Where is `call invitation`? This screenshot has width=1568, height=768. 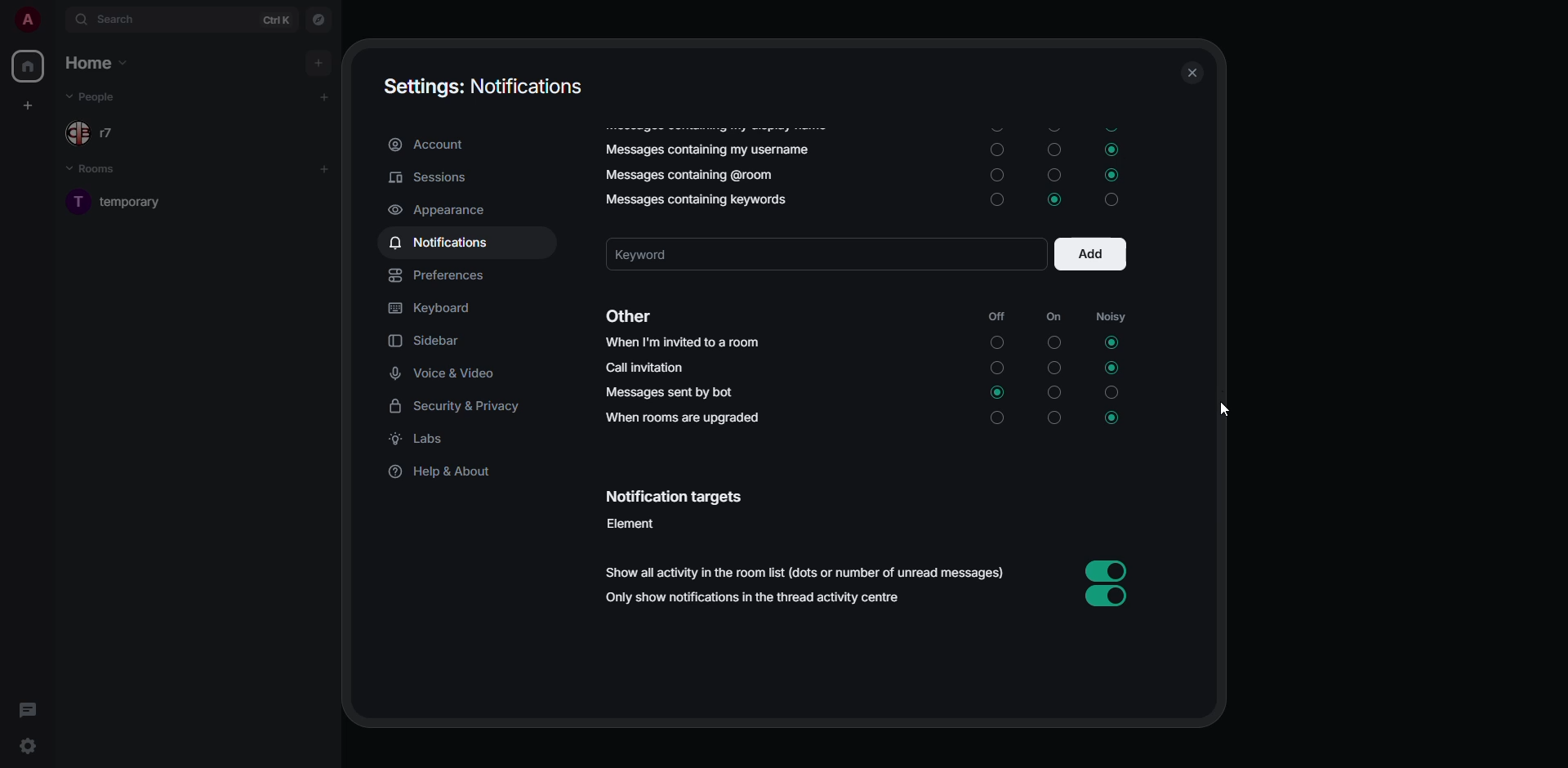
call invitation is located at coordinates (644, 368).